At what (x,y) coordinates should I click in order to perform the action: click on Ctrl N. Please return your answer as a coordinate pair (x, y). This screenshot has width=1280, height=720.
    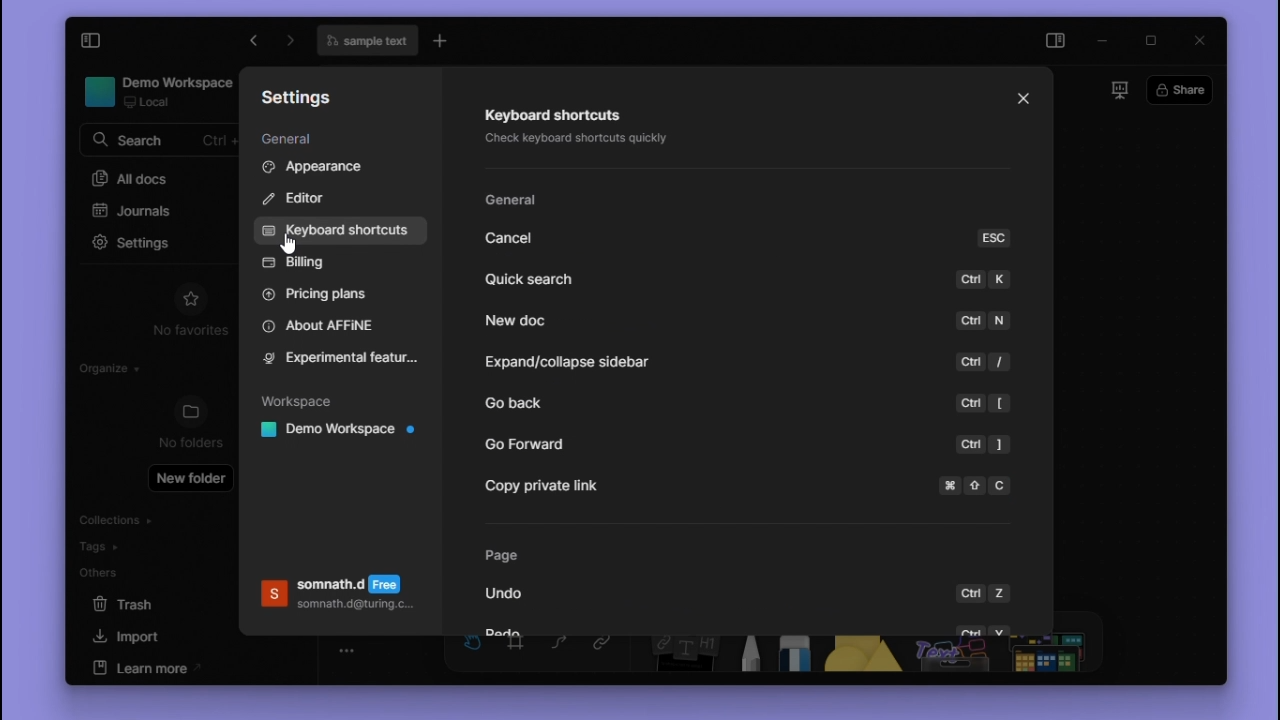
    Looking at the image, I should click on (984, 320).